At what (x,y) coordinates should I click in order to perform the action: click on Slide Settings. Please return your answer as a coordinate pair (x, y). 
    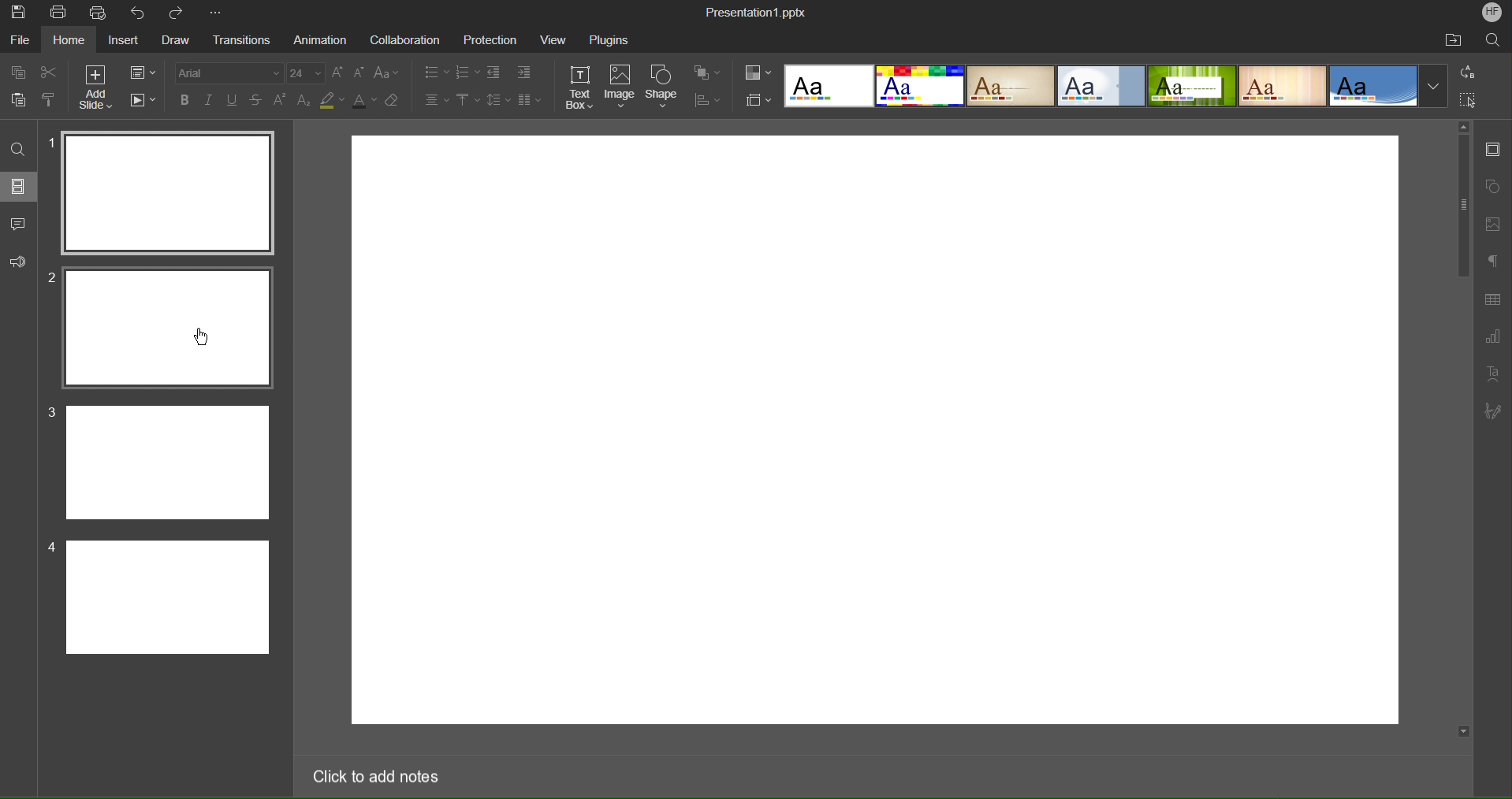
    Looking at the image, I should click on (1494, 149).